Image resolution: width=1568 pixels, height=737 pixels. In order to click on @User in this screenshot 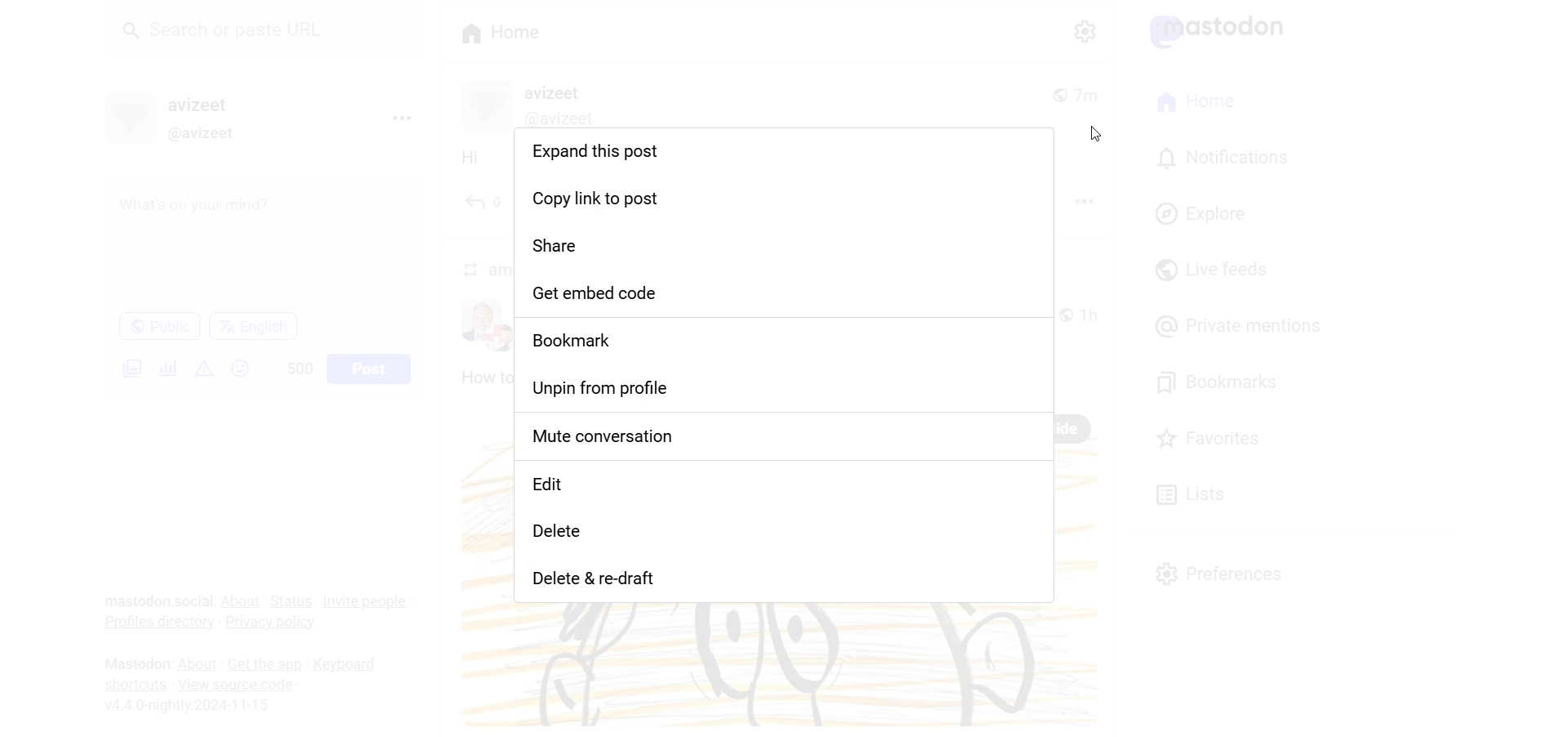, I will do `click(210, 134)`.